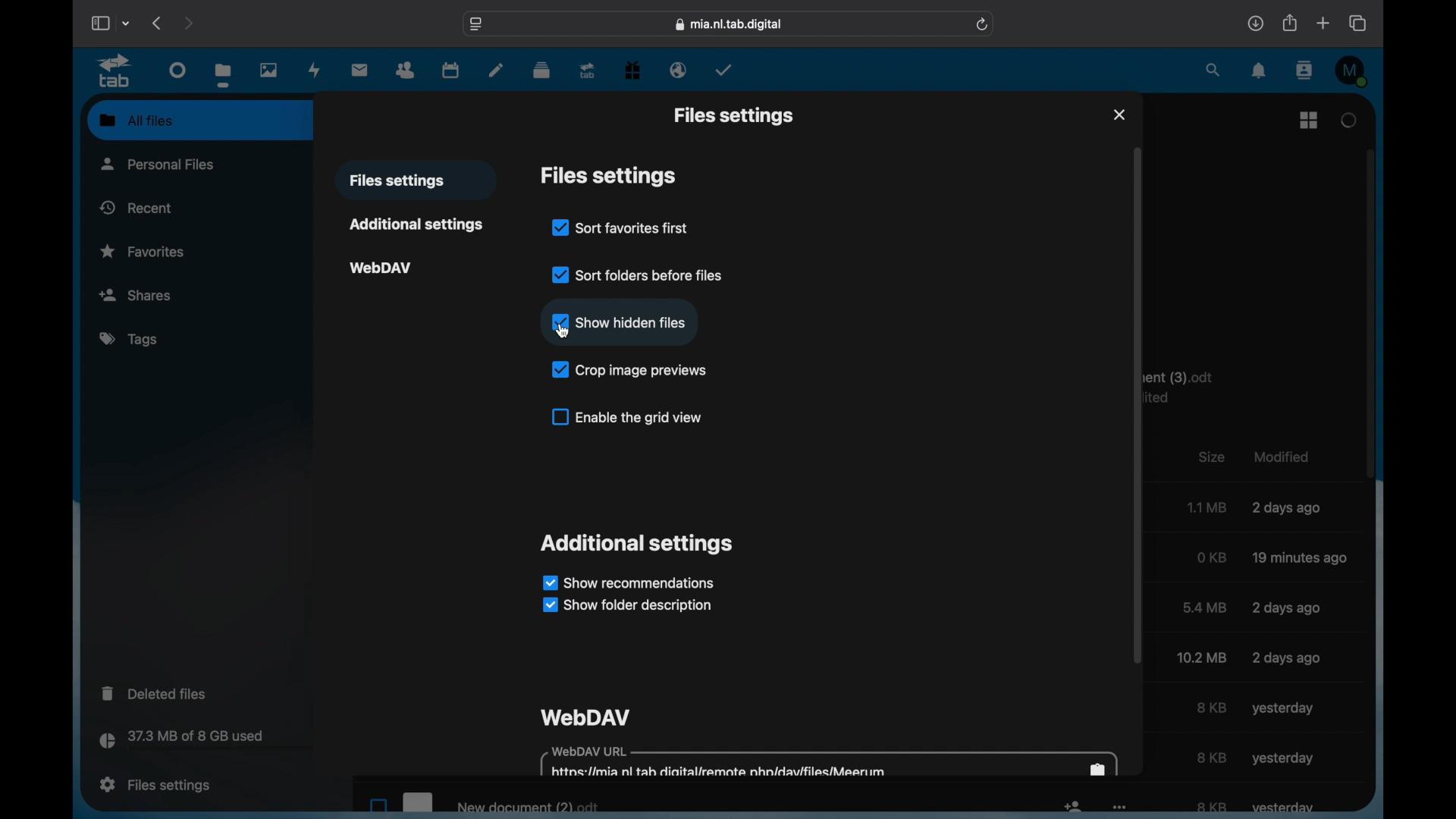  Describe the element at coordinates (1213, 807) in the screenshot. I see `size` at that location.